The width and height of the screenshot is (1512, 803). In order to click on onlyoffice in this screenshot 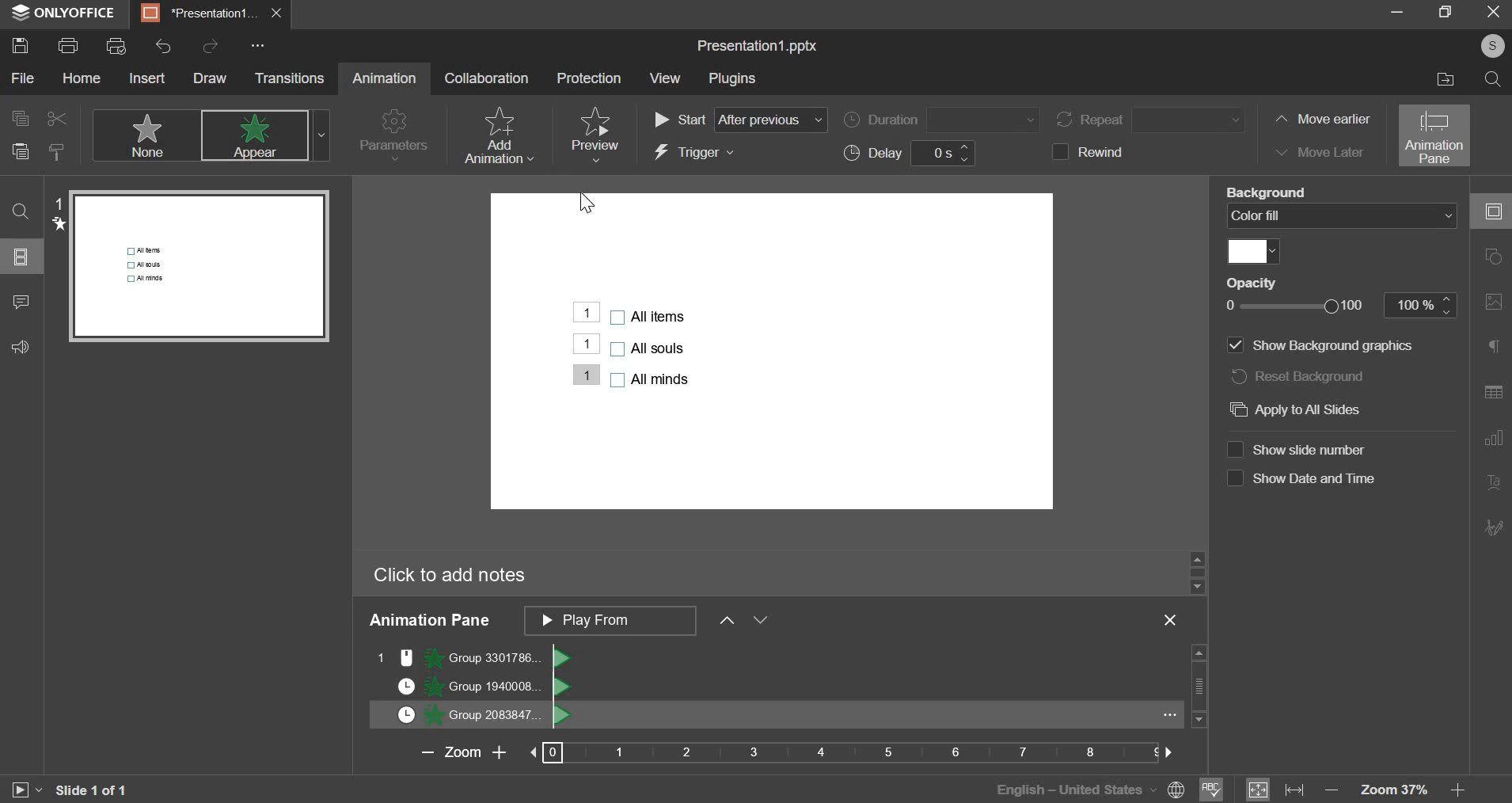, I will do `click(64, 13)`.